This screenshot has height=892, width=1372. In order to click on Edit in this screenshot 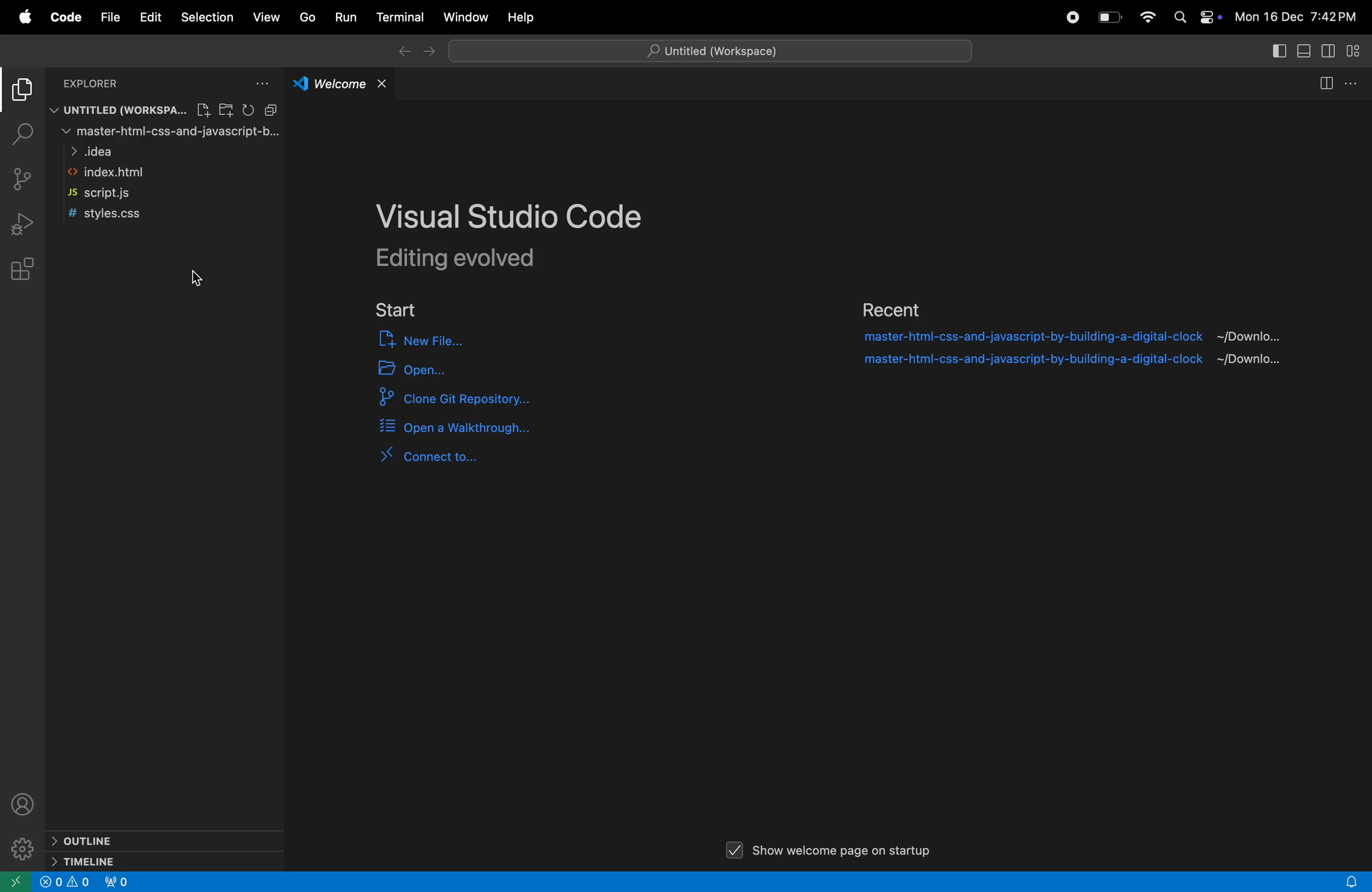, I will do `click(152, 18)`.